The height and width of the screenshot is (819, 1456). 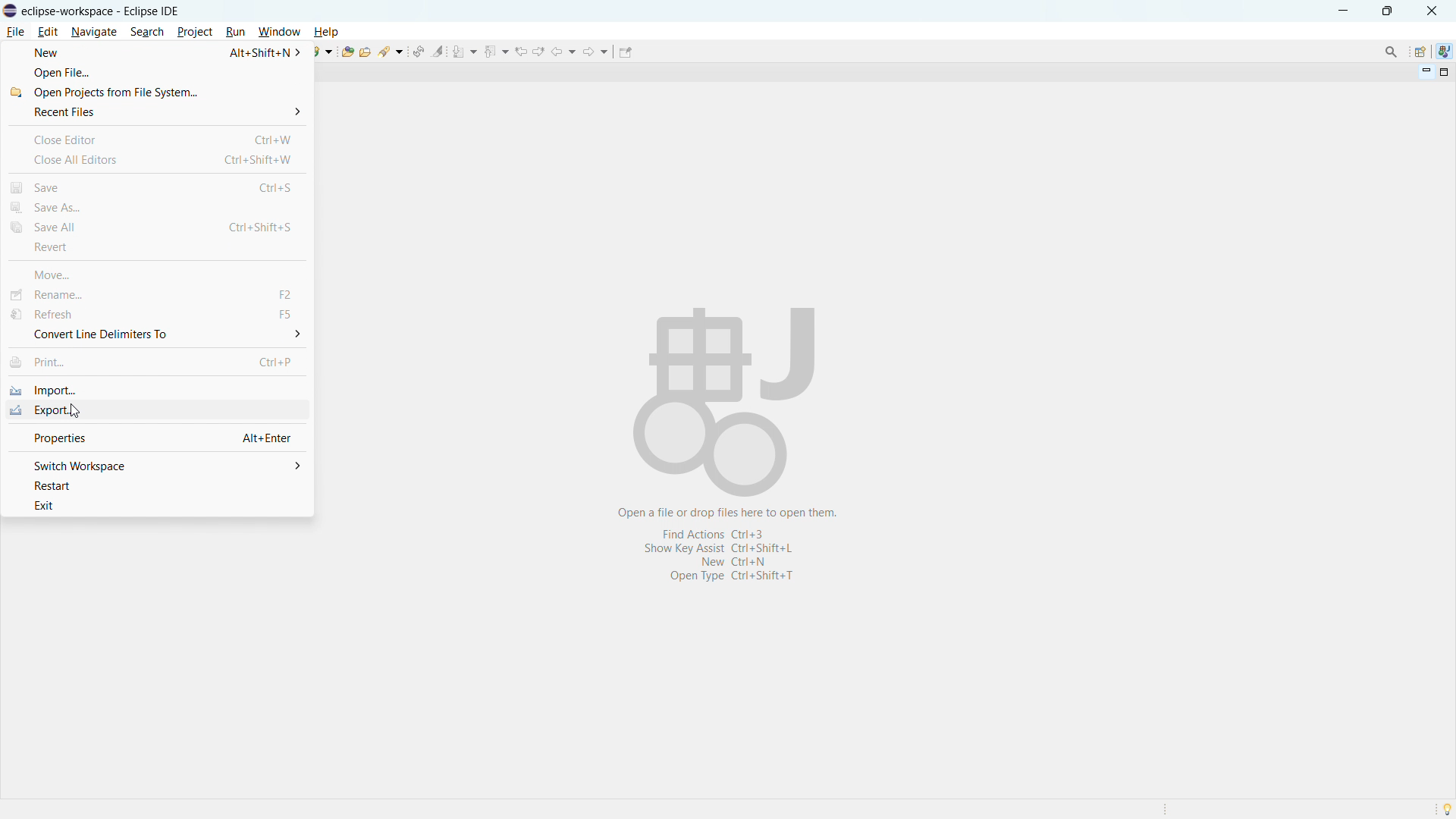 I want to click on move, so click(x=158, y=273).